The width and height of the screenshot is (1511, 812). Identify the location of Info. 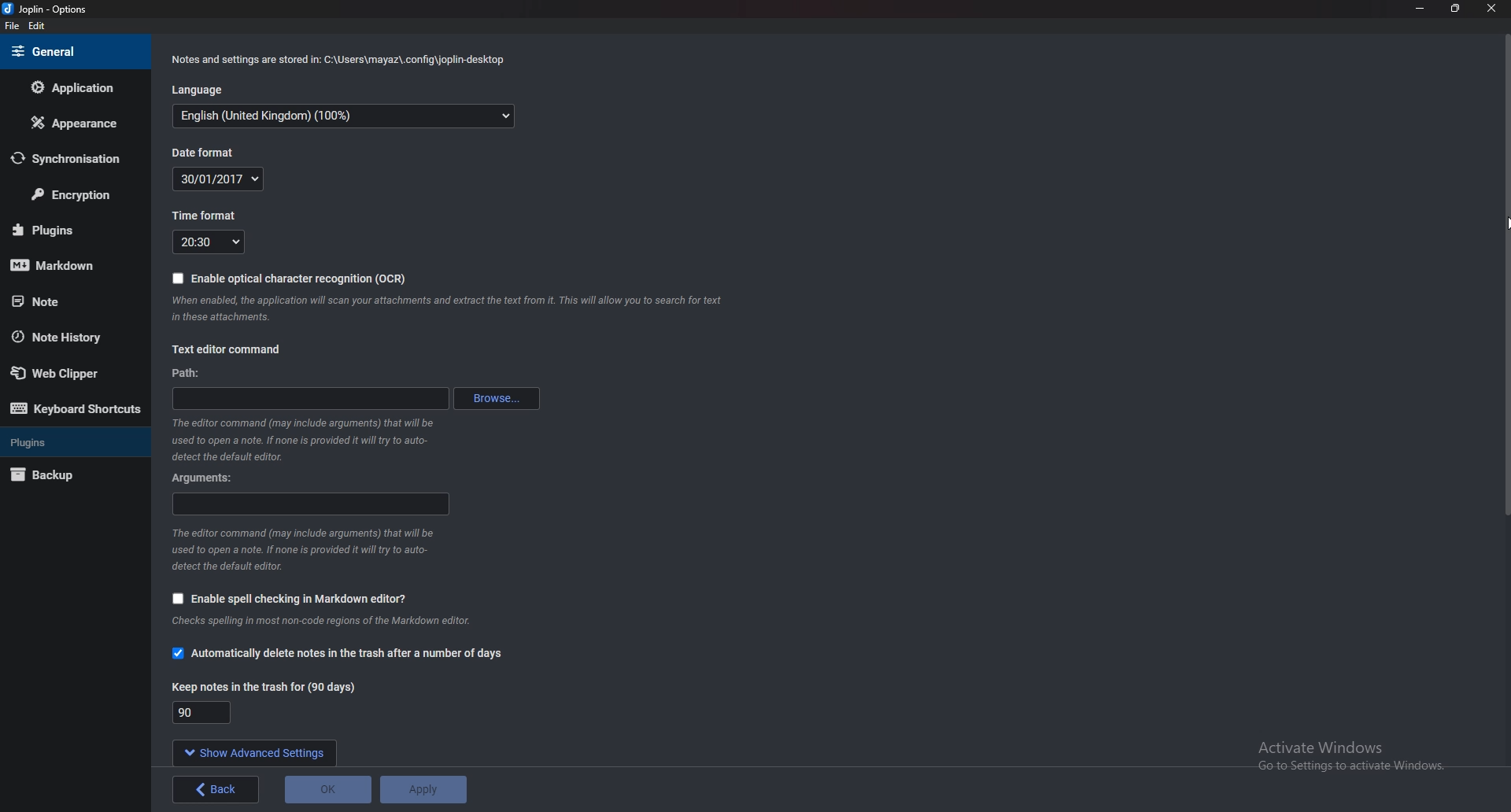
(302, 440).